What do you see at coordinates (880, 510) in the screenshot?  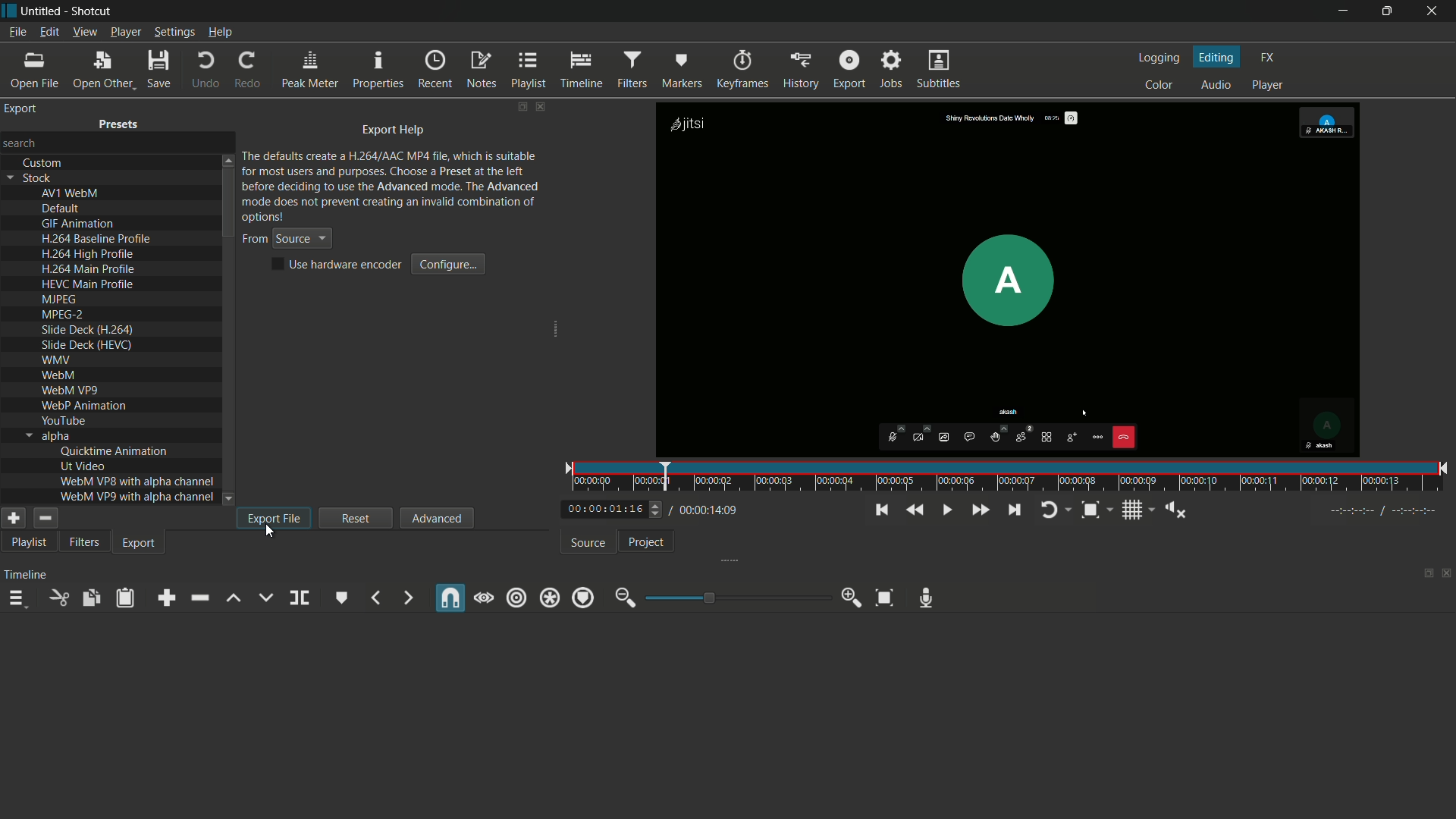 I see `skip to the previous point` at bounding box center [880, 510].